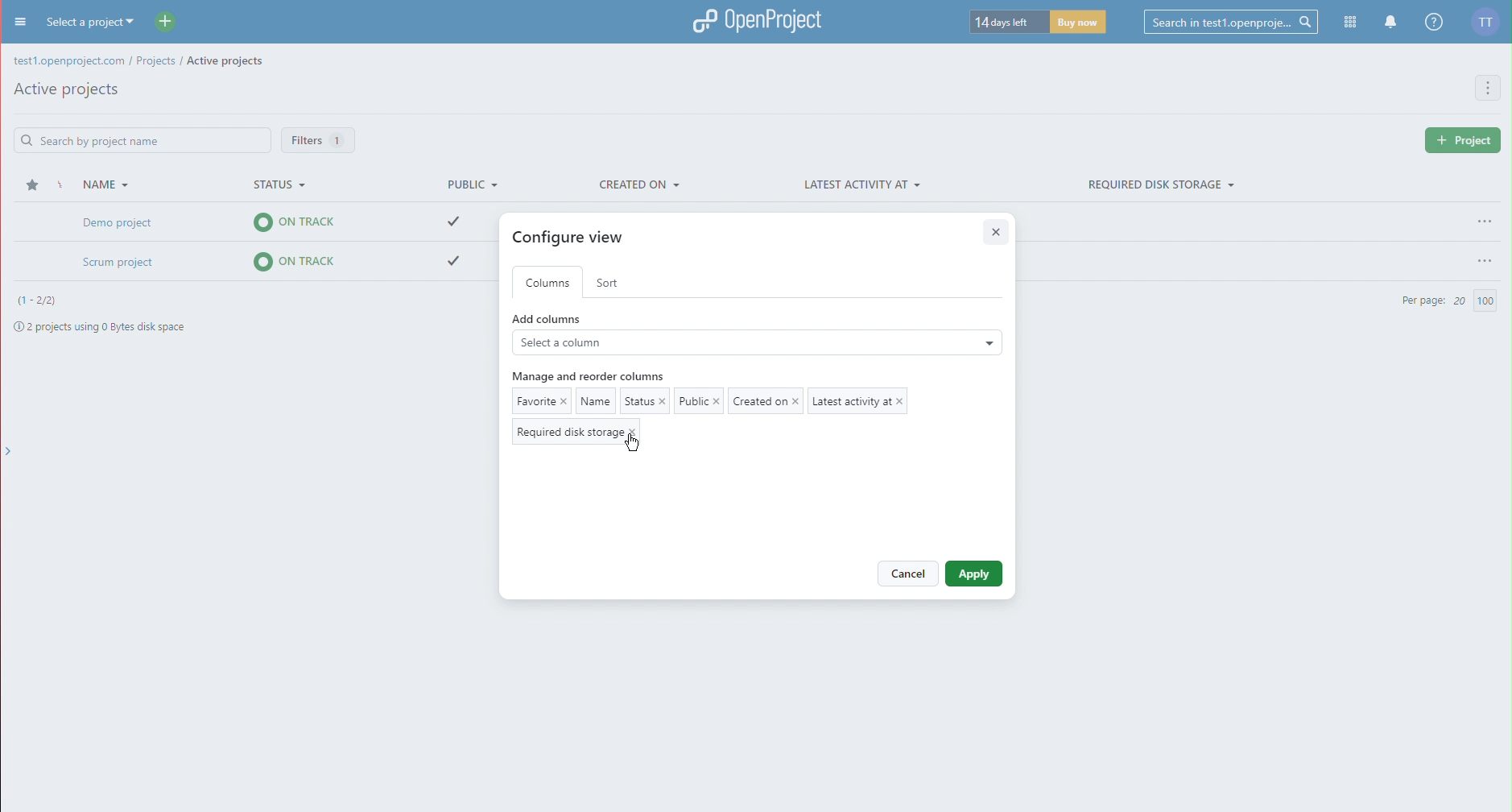  I want to click on Demo project, so click(275, 223).